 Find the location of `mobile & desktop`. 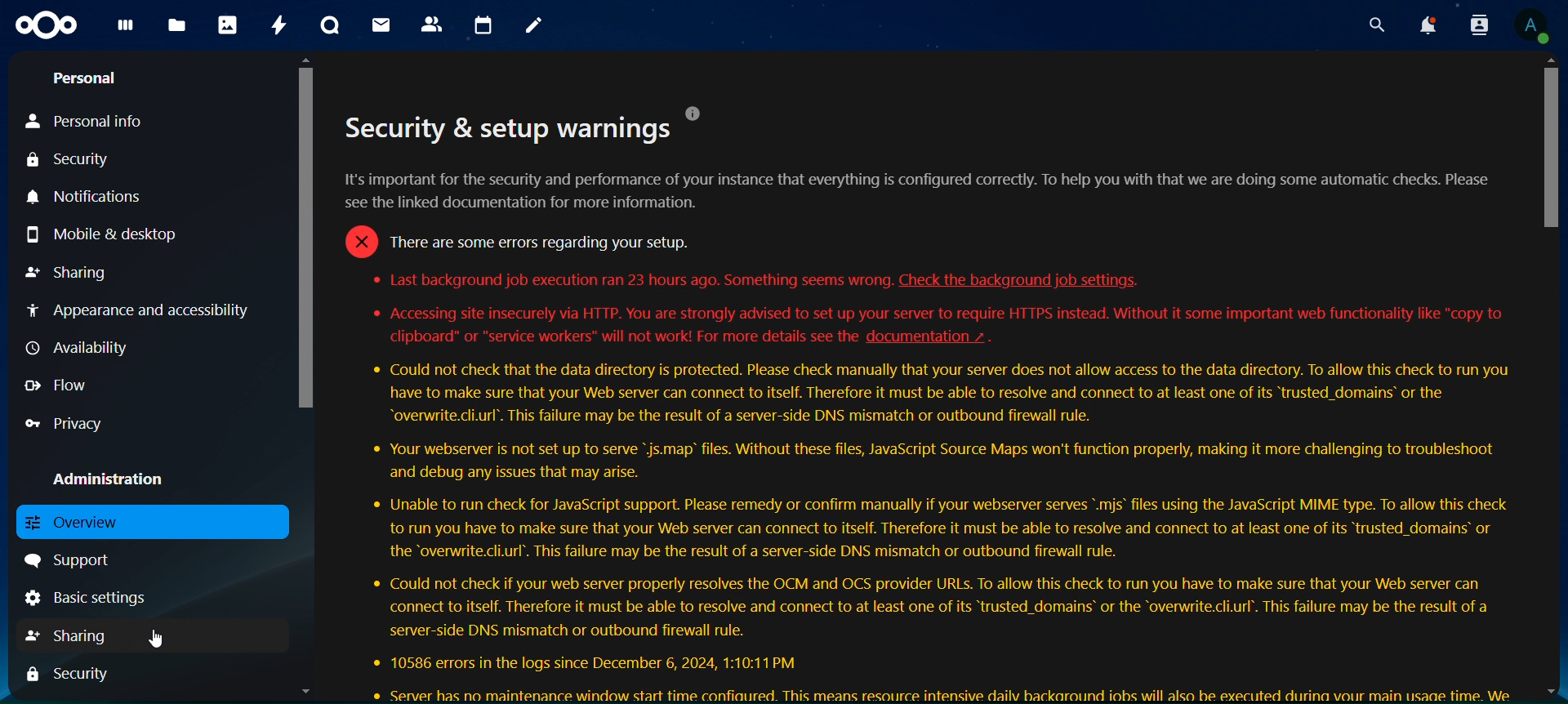

mobile & desktop is located at coordinates (99, 234).